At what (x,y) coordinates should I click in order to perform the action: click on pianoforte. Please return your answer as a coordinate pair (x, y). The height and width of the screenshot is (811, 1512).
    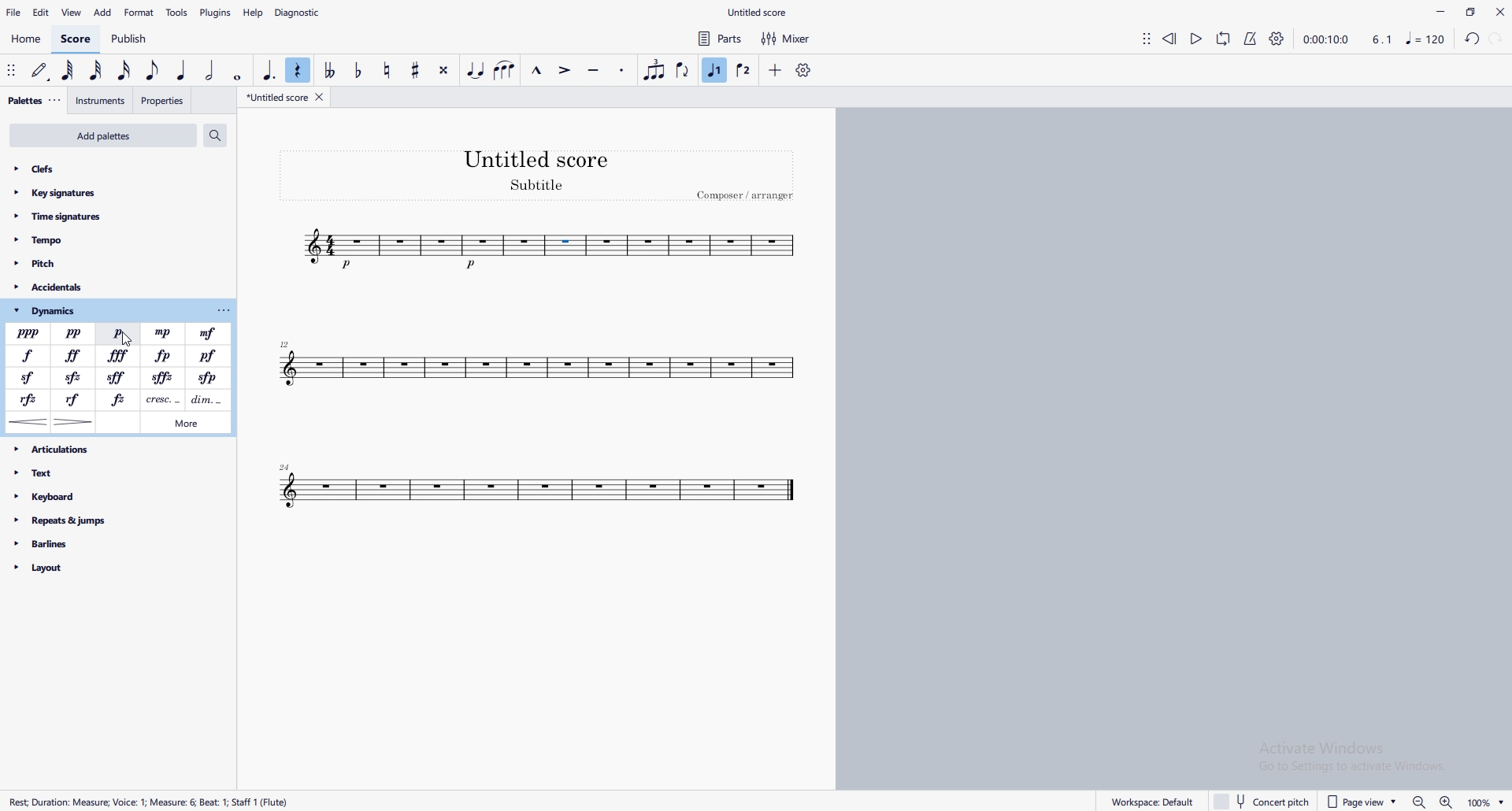
    Looking at the image, I should click on (209, 354).